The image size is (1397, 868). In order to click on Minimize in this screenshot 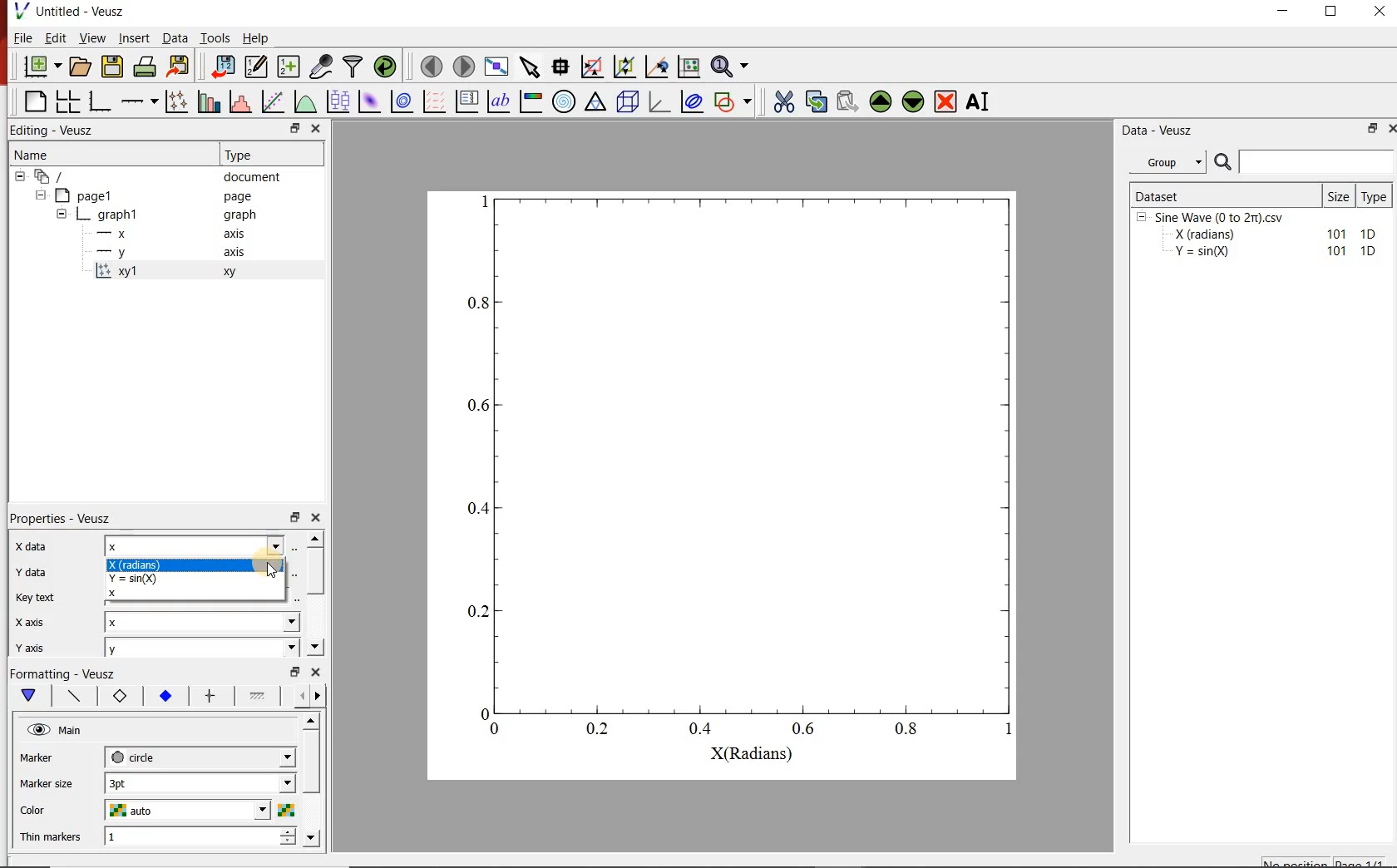, I will do `click(1282, 12)`.